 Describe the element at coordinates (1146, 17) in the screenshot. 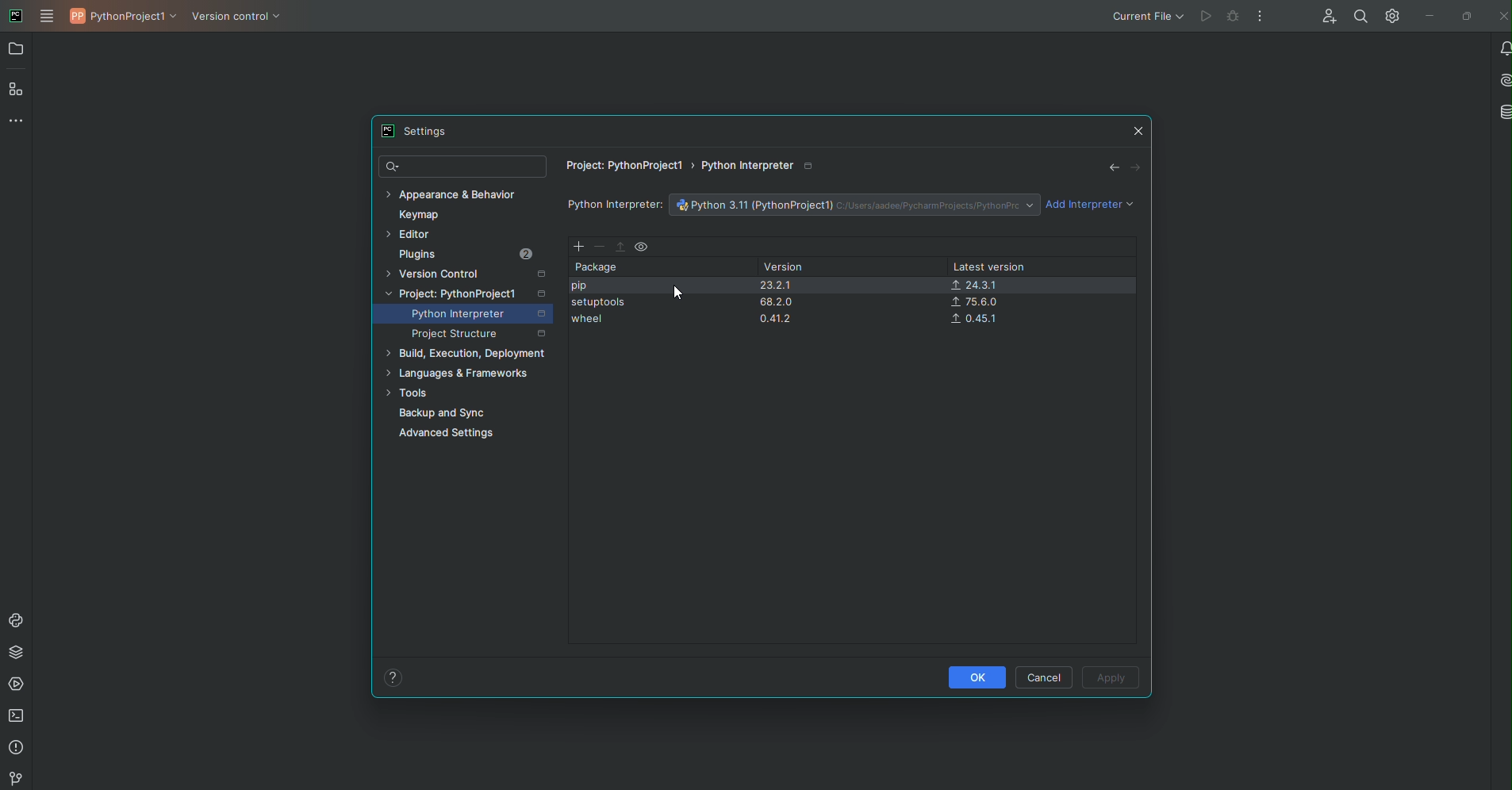

I see `Current file` at that location.